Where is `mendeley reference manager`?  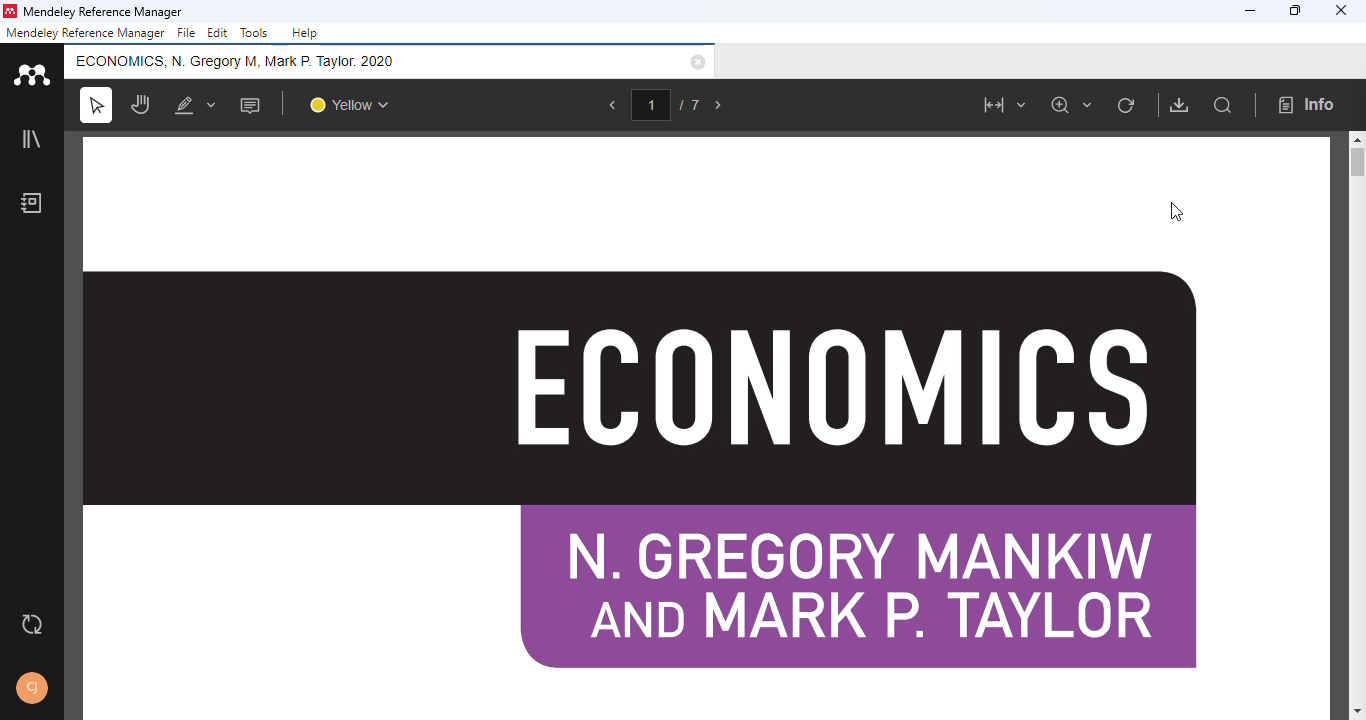
mendeley reference manager is located at coordinates (85, 32).